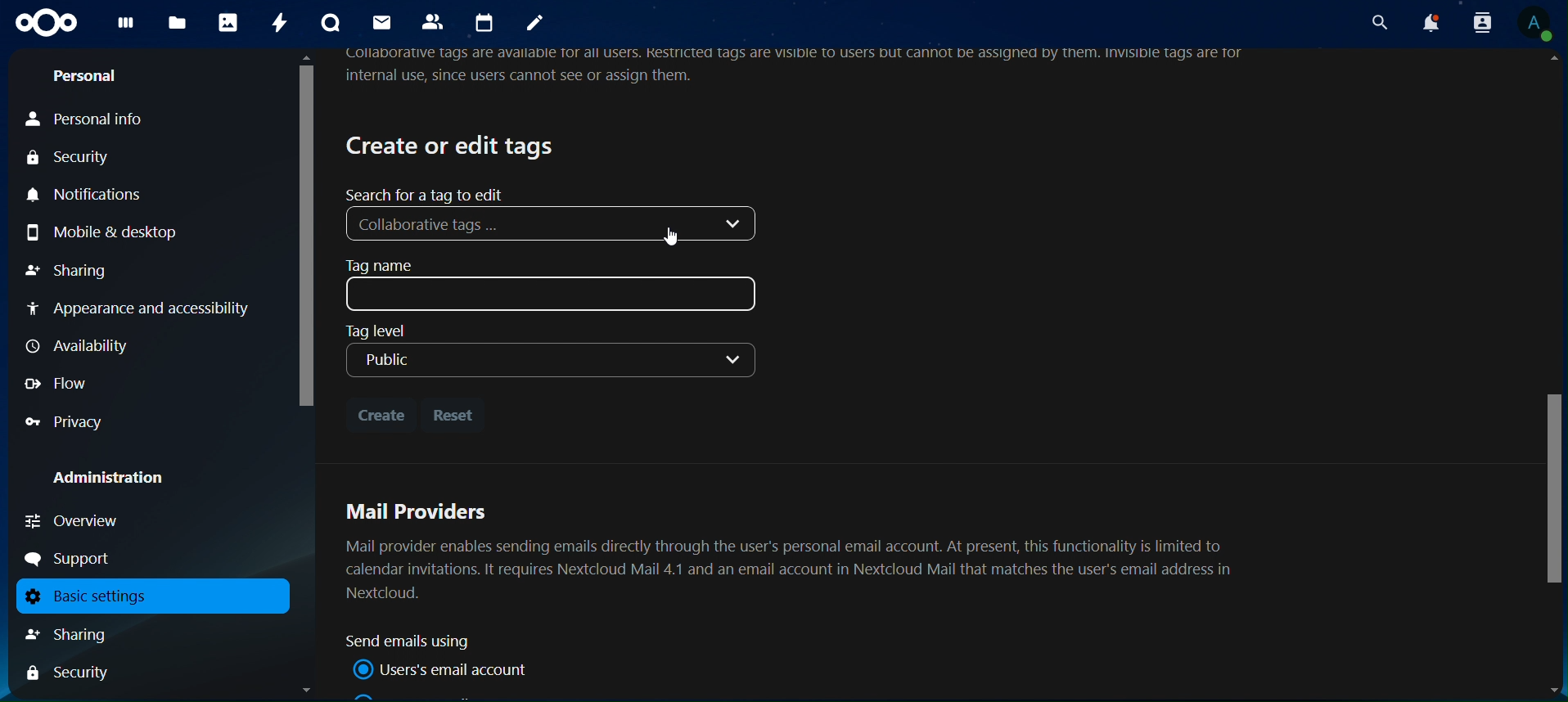  What do you see at coordinates (141, 311) in the screenshot?
I see `appearance and accessibility` at bounding box center [141, 311].